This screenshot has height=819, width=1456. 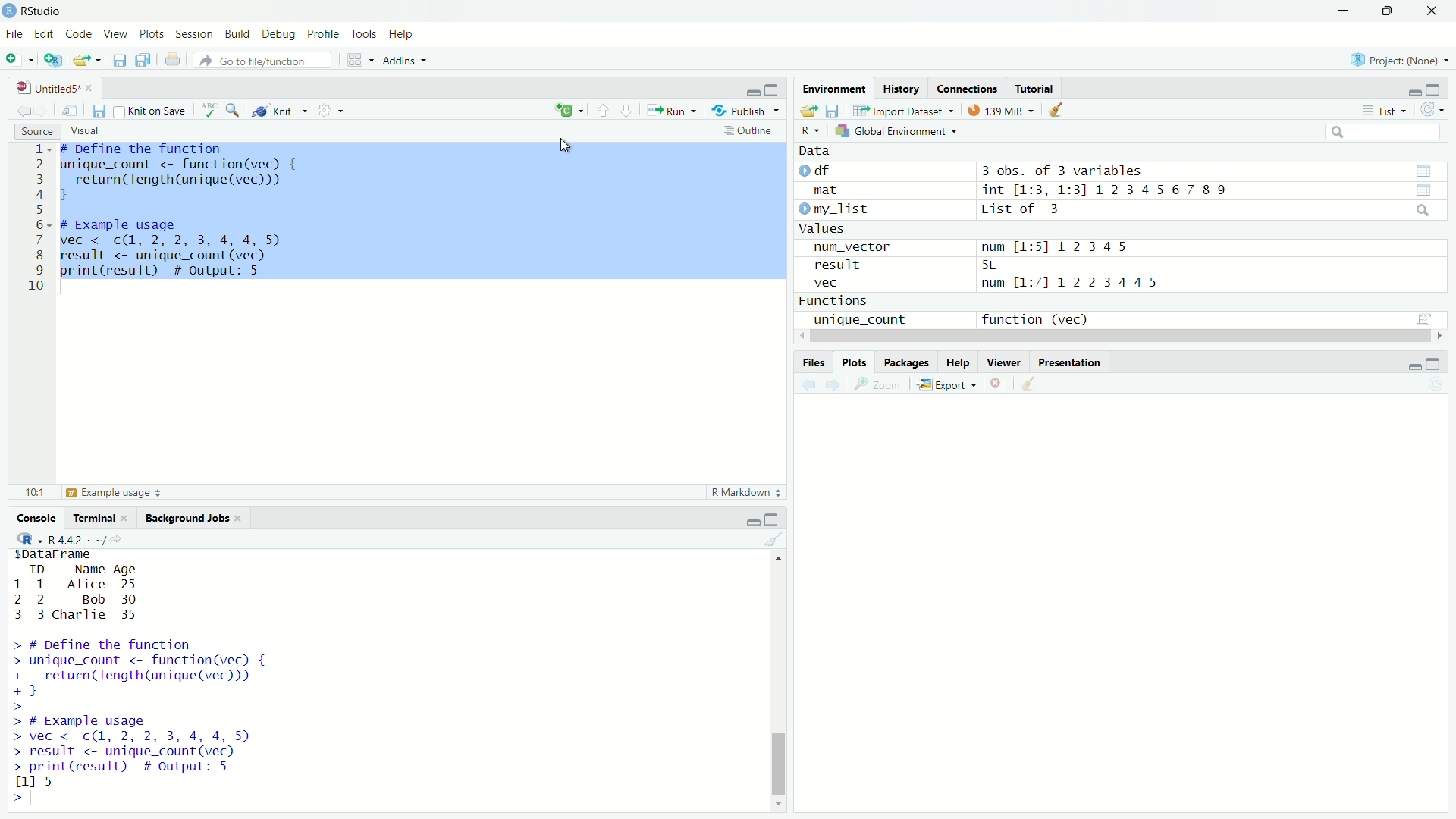 I want to click on view data, so click(x=1423, y=170).